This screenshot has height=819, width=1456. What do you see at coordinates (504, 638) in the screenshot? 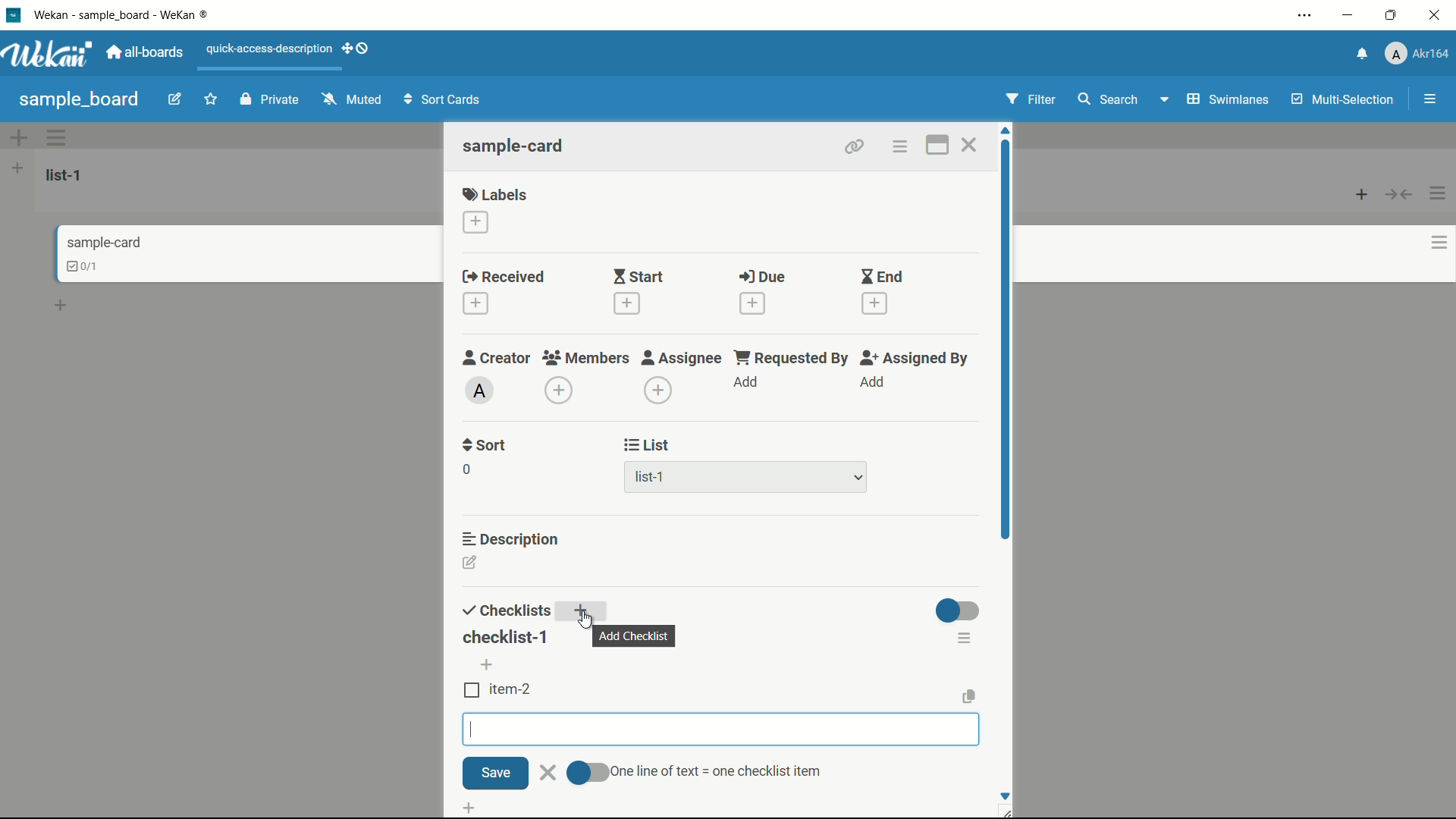
I see `checklist-1` at bounding box center [504, 638].